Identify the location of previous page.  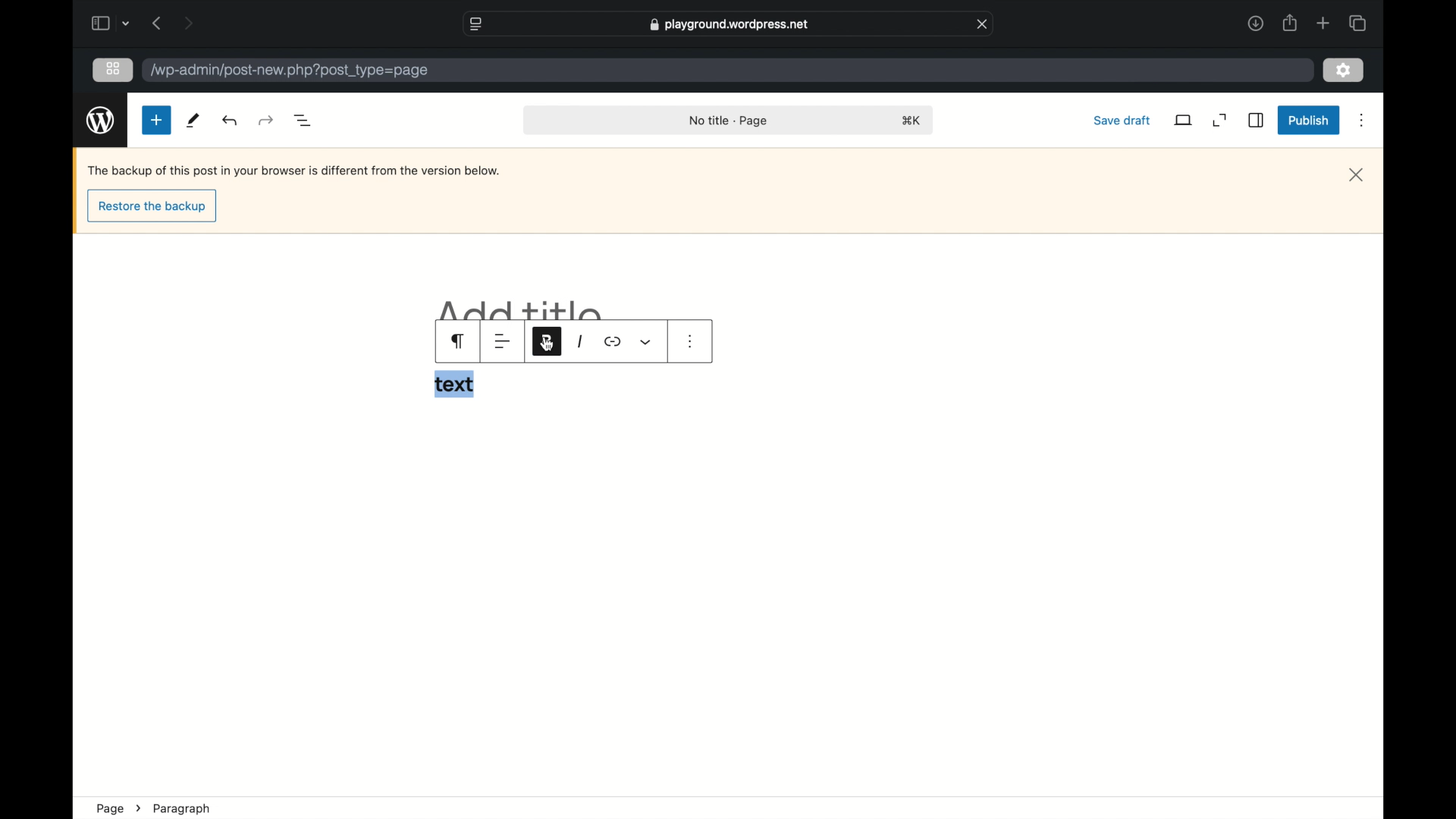
(156, 23).